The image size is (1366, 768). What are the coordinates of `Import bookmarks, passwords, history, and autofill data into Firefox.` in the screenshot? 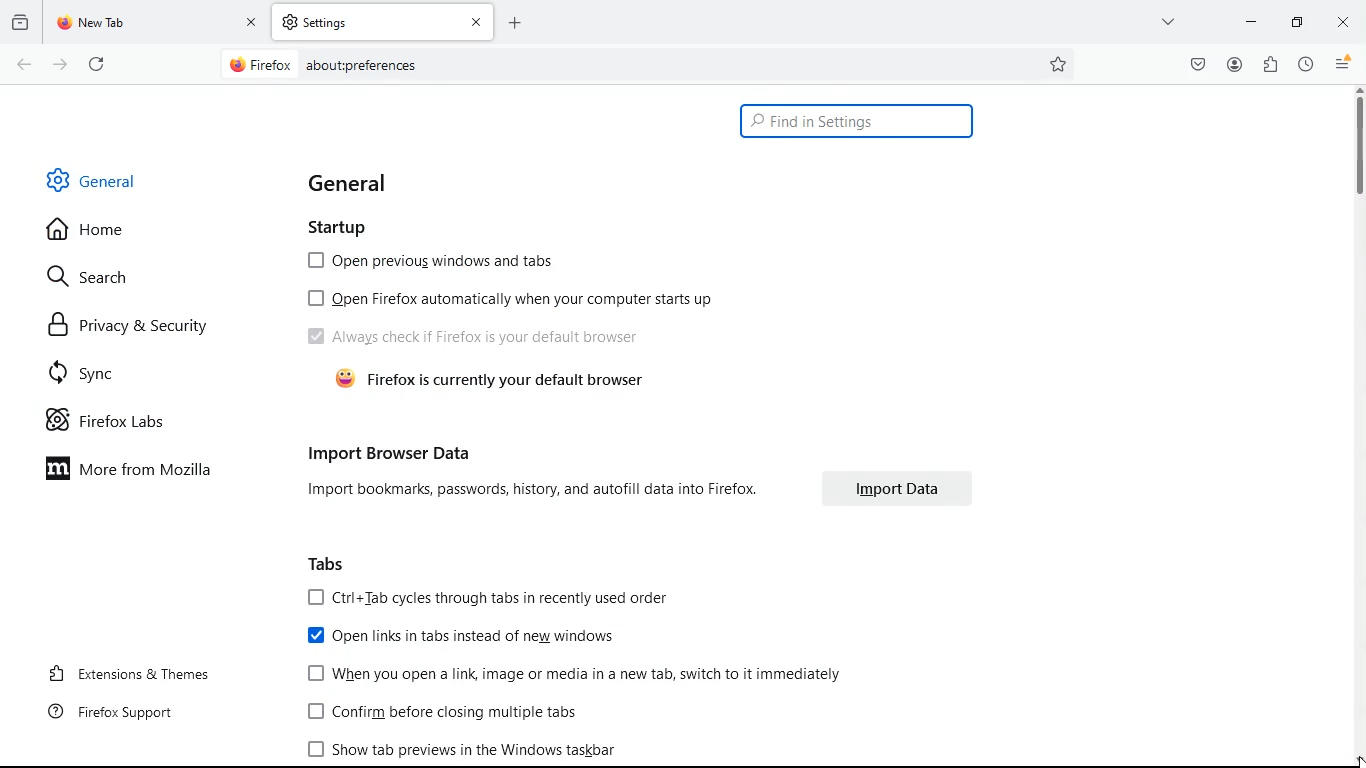 It's located at (529, 490).